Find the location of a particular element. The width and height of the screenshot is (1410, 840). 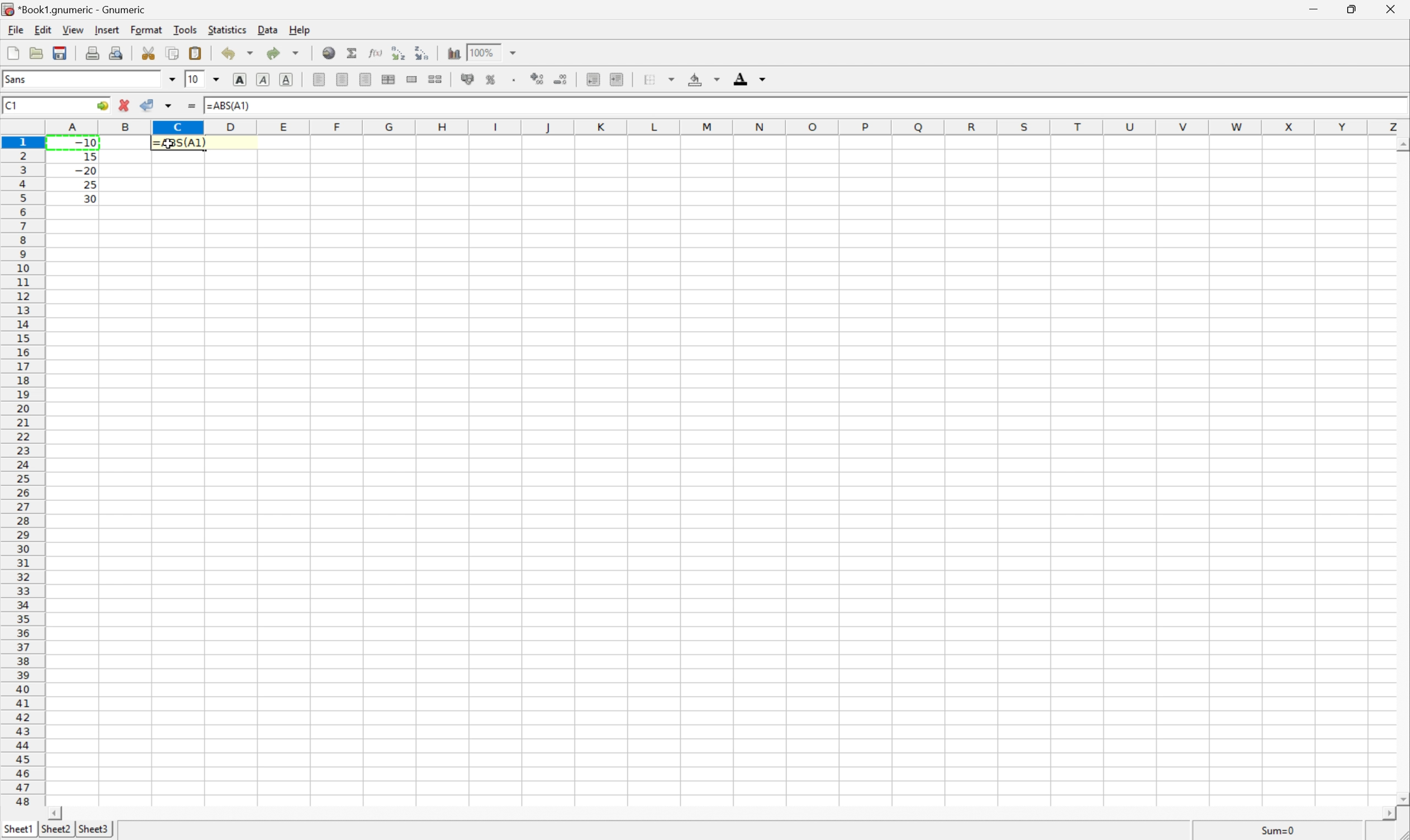

close is located at coordinates (1389, 11).